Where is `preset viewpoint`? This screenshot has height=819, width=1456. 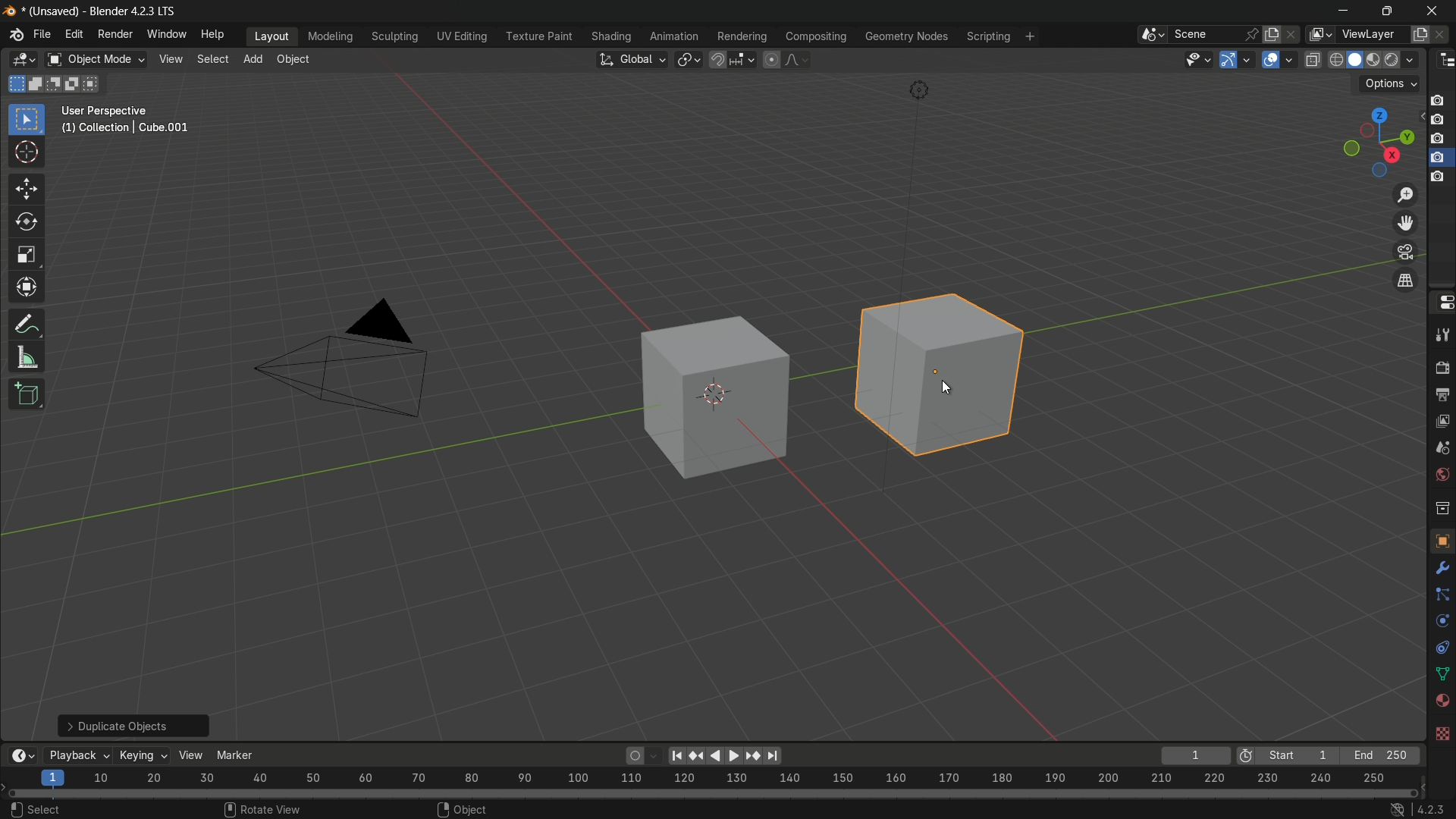
preset viewpoint is located at coordinates (1379, 142).